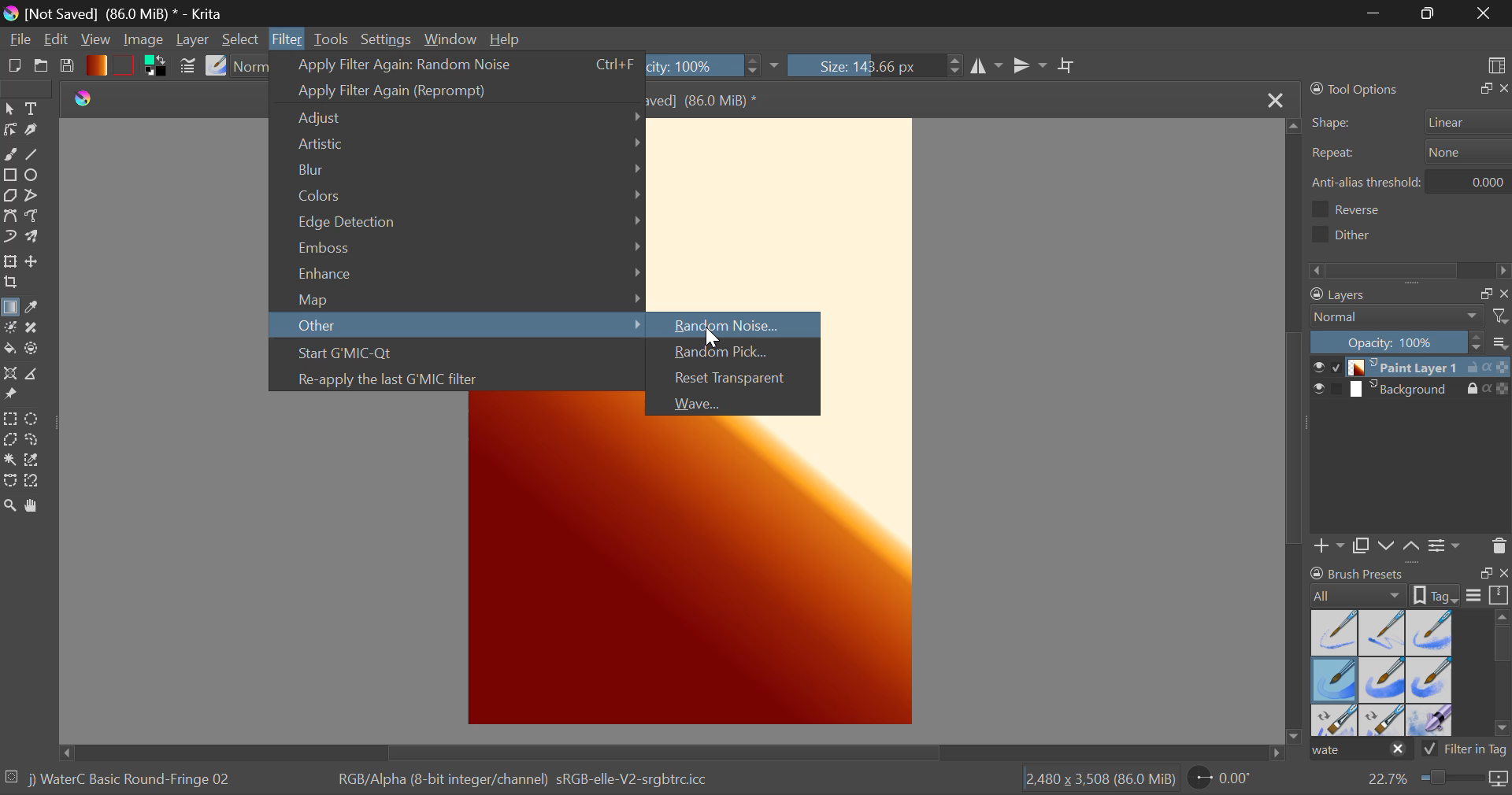 The width and height of the screenshot is (1512, 795). What do you see at coordinates (1503, 89) in the screenshot?
I see `close` at bounding box center [1503, 89].